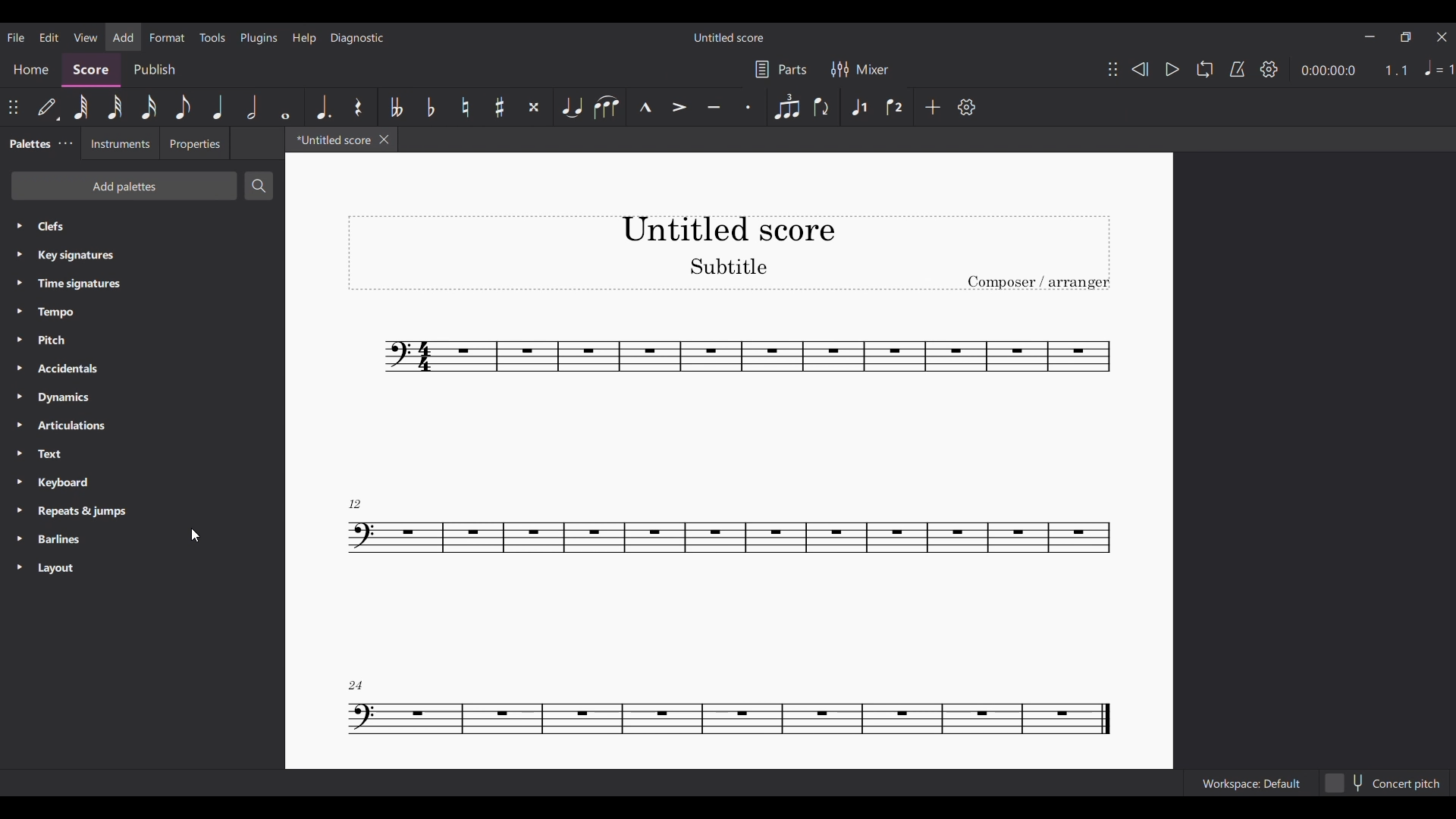 The width and height of the screenshot is (1456, 819). Describe the element at coordinates (51, 312) in the screenshot. I see `Tempo` at that location.